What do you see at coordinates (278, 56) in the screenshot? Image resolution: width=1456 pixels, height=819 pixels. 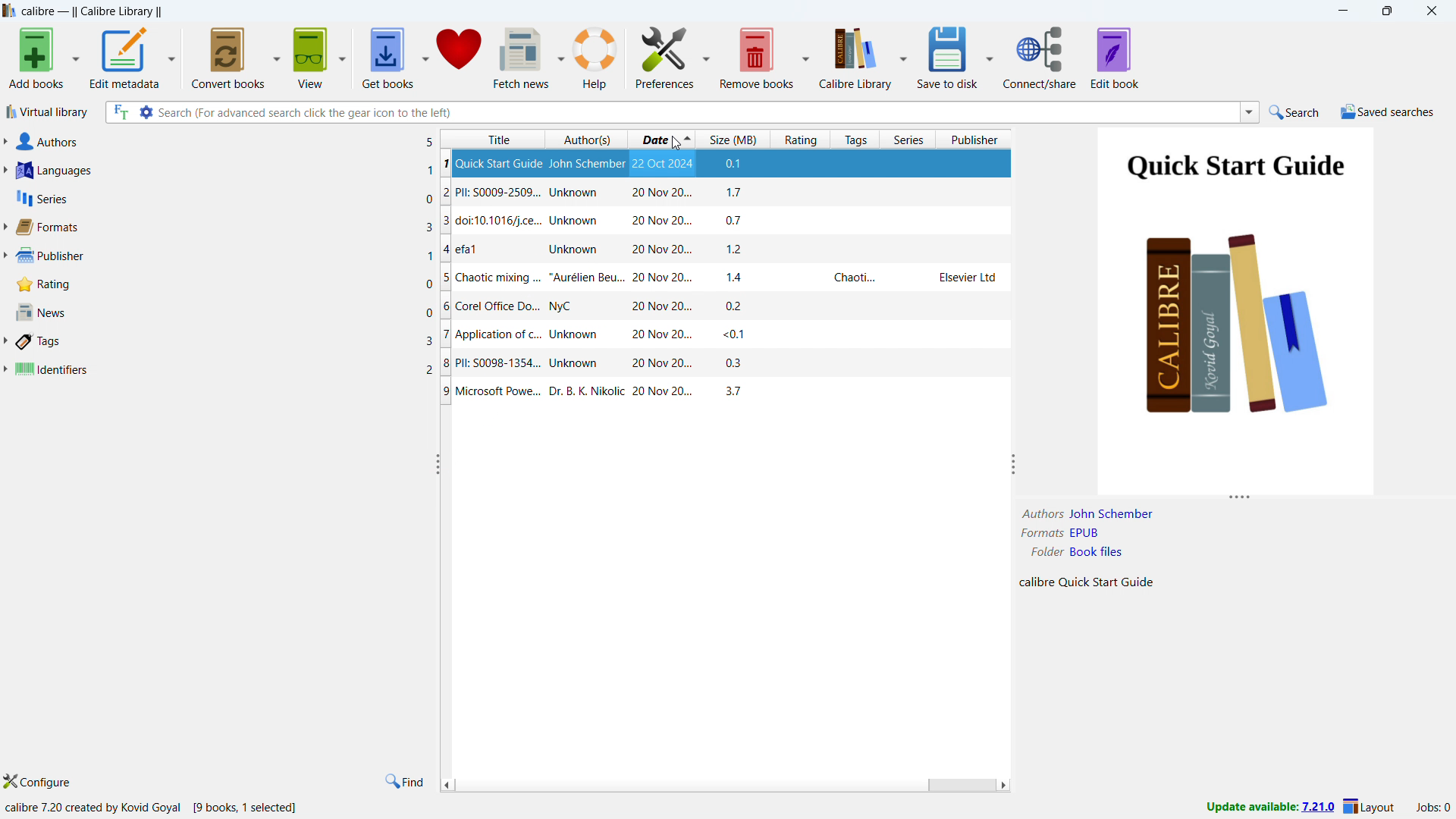 I see `convert books options` at bounding box center [278, 56].